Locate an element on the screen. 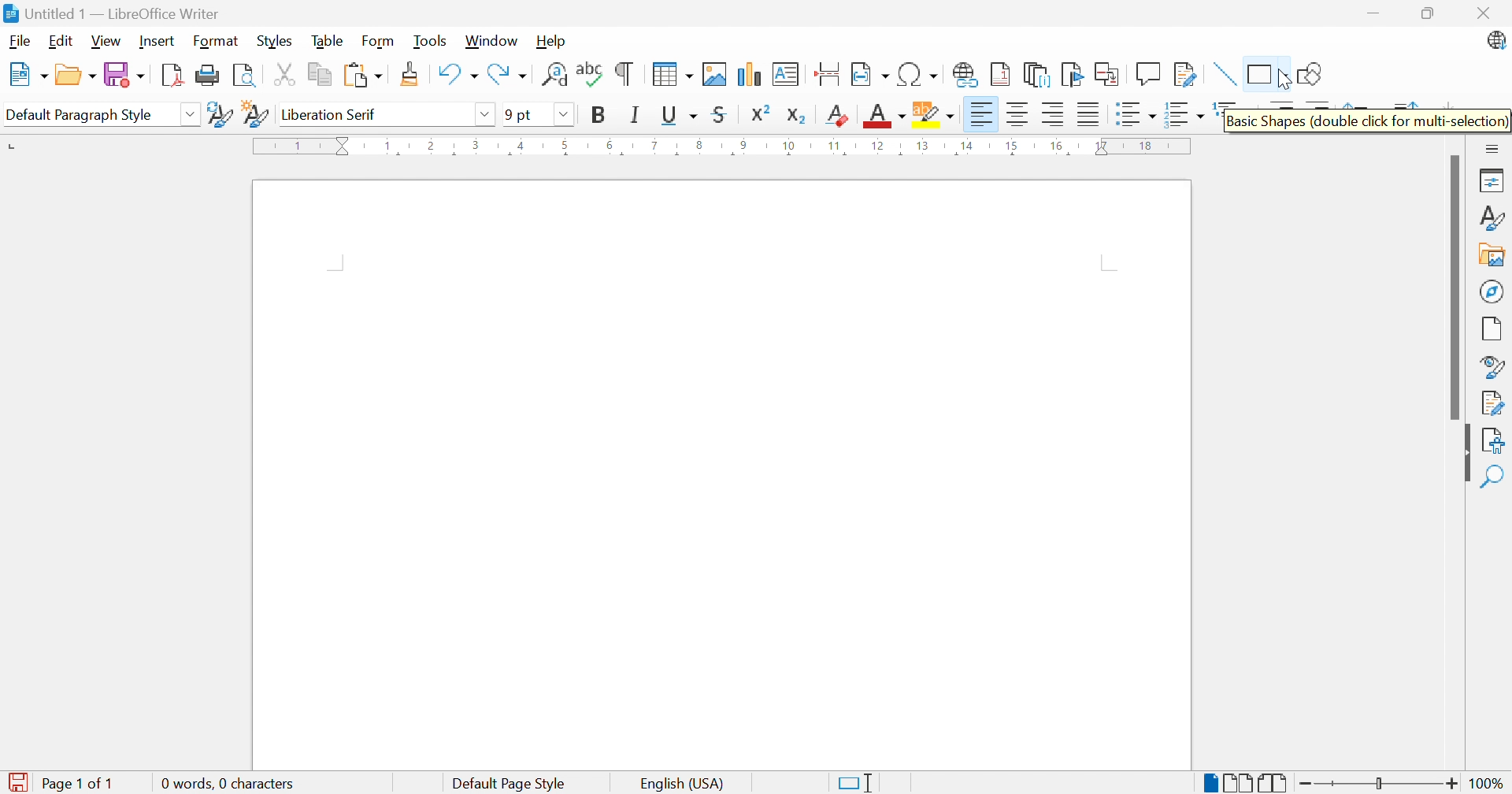 The width and height of the screenshot is (1512, 794). Insert chart is located at coordinates (747, 73).